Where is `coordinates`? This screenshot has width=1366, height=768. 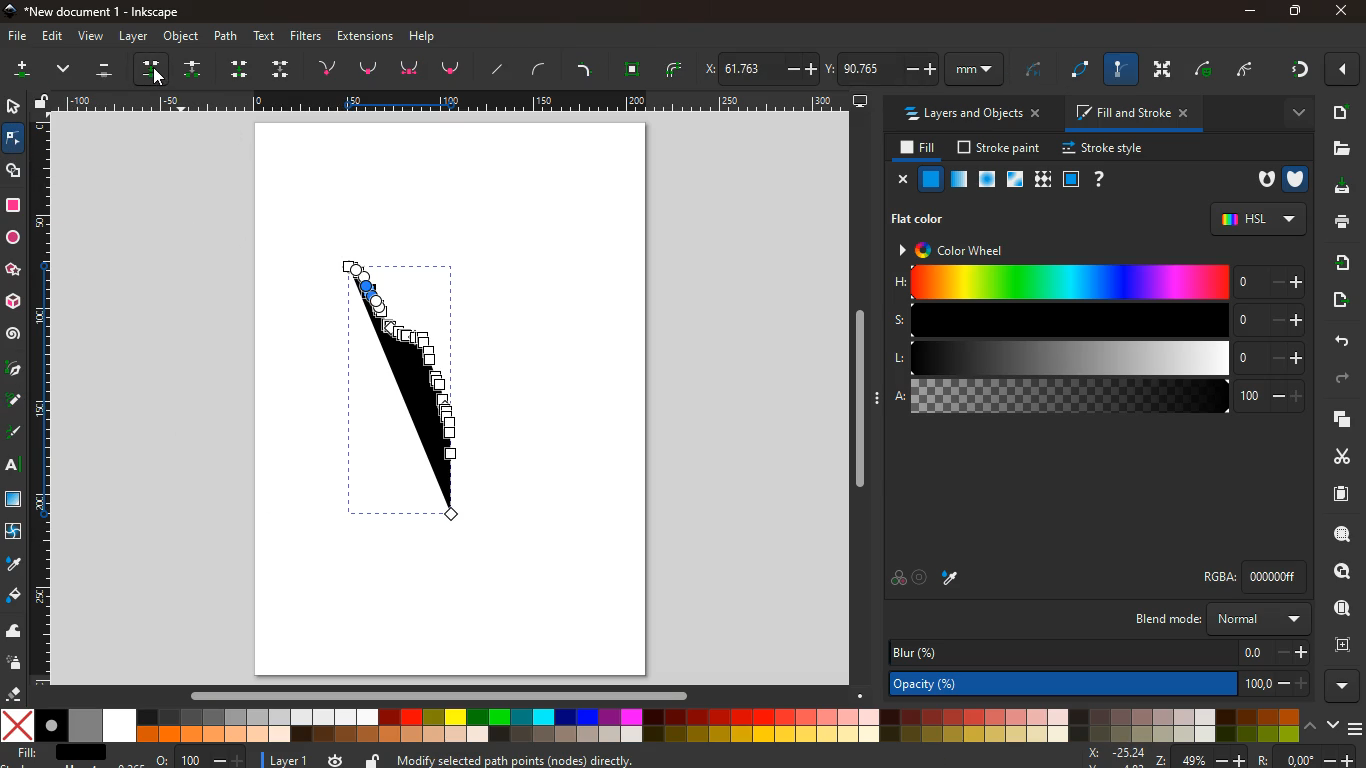 coordinates is located at coordinates (1218, 757).